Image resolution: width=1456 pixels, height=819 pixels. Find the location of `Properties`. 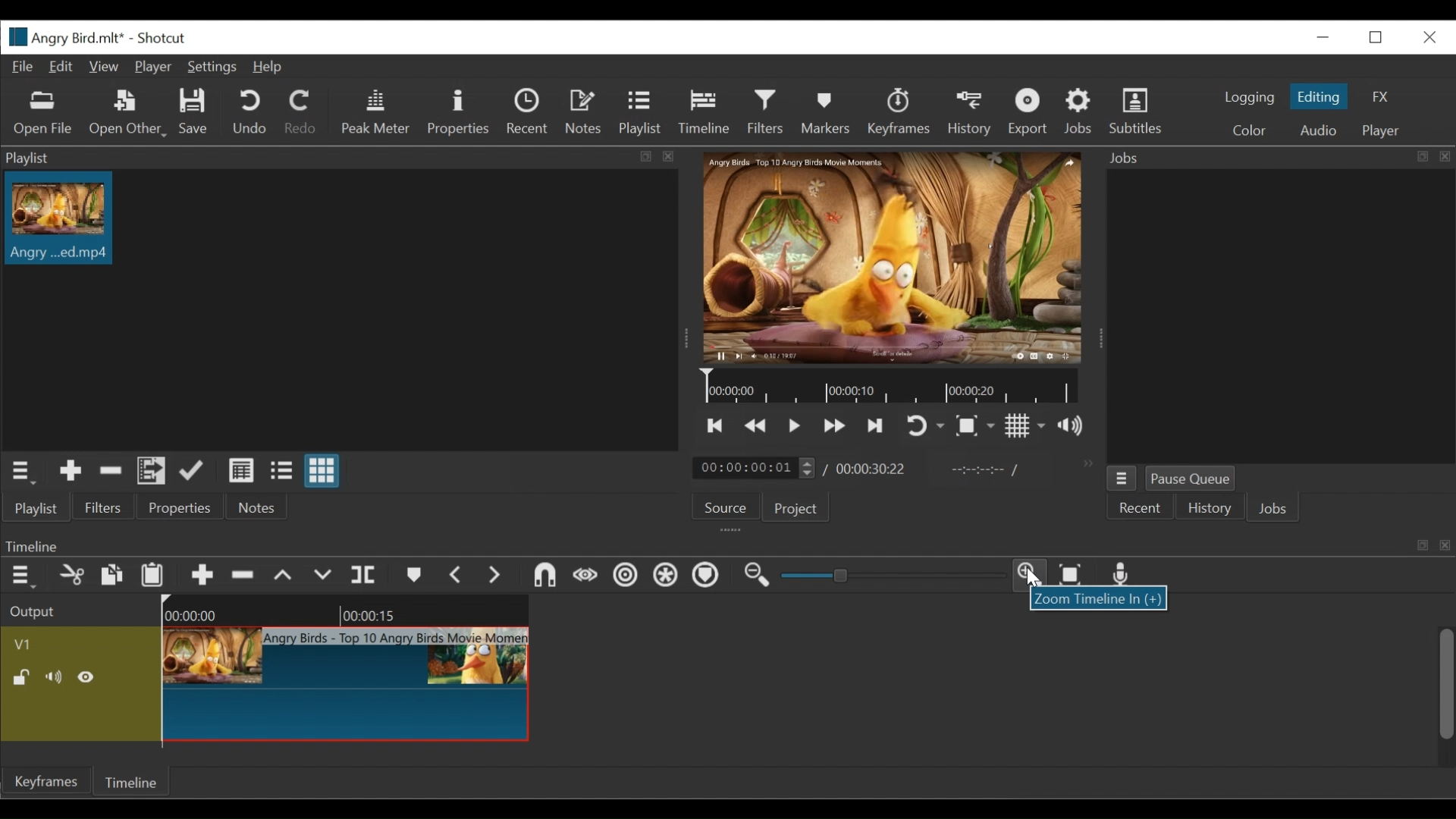

Properties is located at coordinates (183, 507).